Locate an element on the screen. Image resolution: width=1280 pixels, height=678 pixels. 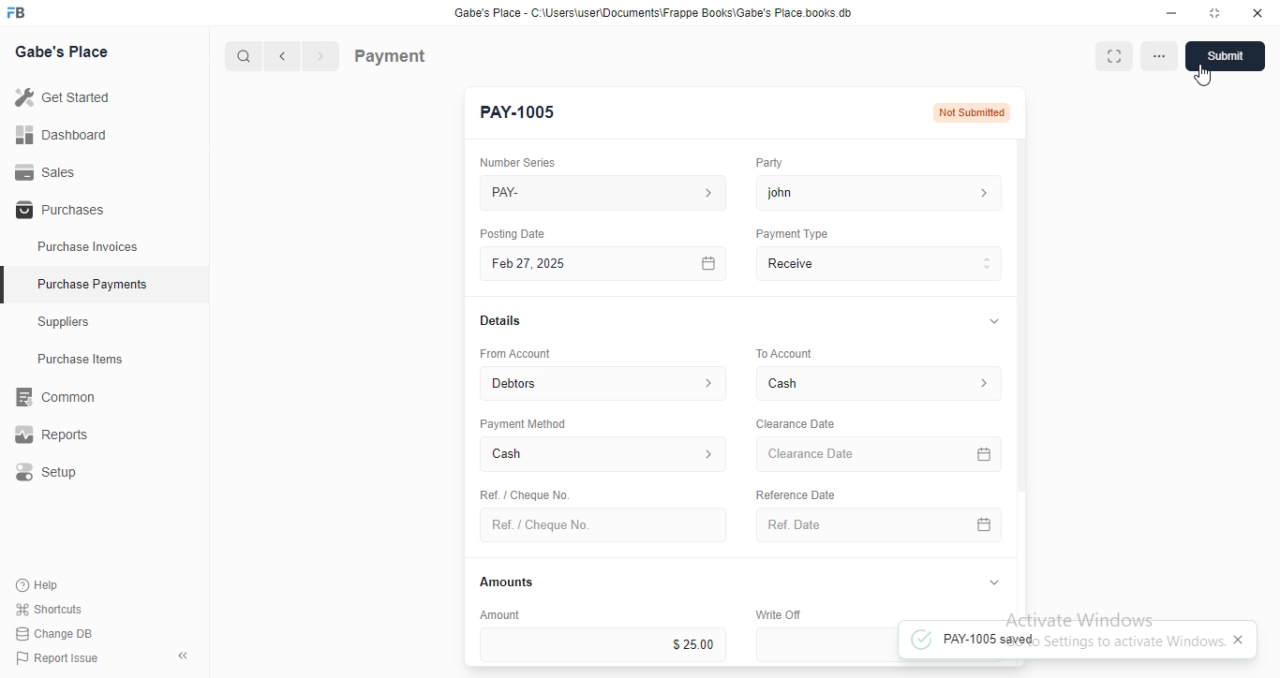
minimize is located at coordinates (1166, 12).